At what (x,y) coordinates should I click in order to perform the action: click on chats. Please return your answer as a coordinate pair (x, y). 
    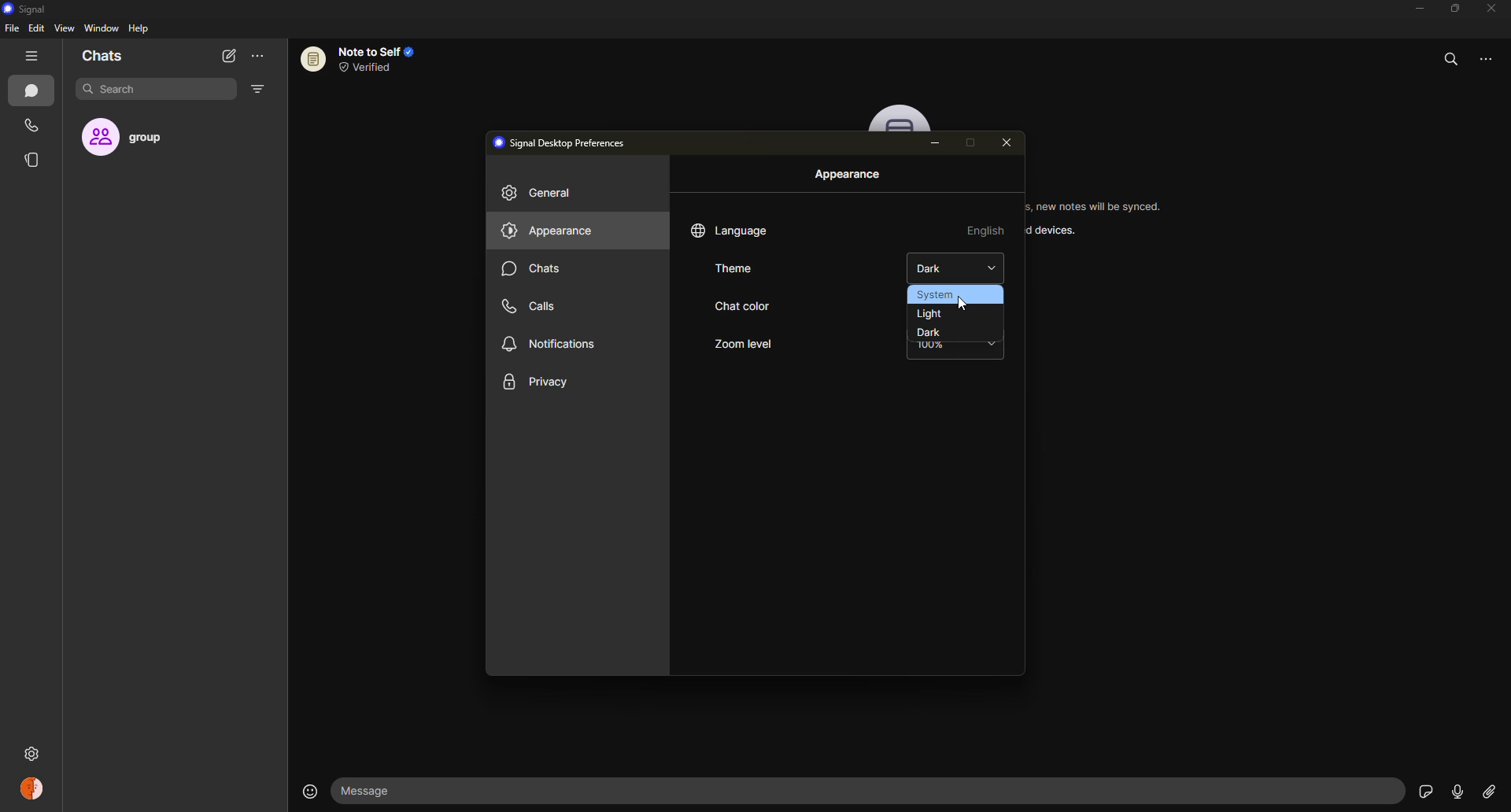
    Looking at the image, I should click on (35, 92).